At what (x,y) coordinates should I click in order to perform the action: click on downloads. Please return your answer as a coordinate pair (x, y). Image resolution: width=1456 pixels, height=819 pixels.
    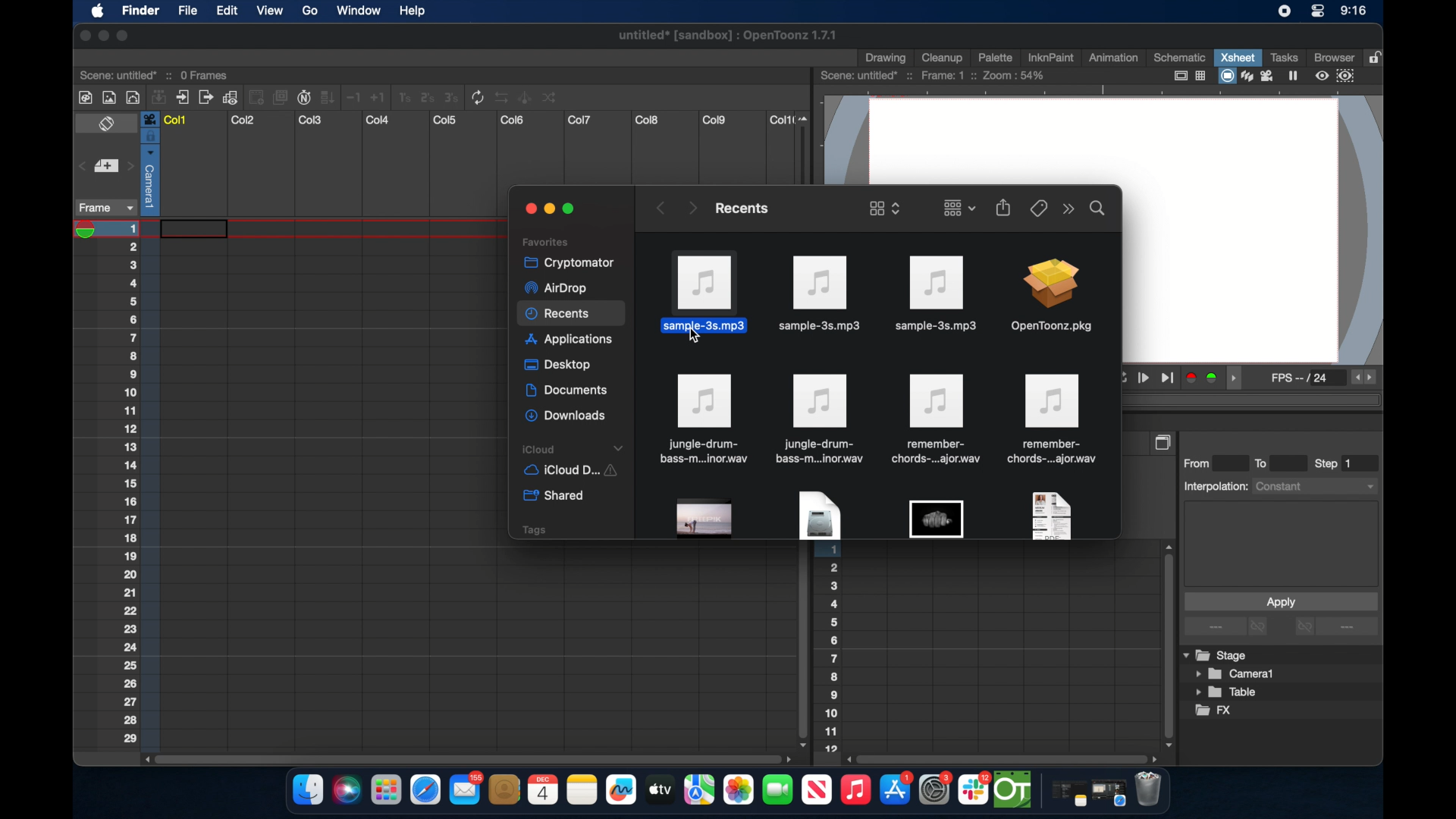
    Looking at the image, I should click on (567, 416).